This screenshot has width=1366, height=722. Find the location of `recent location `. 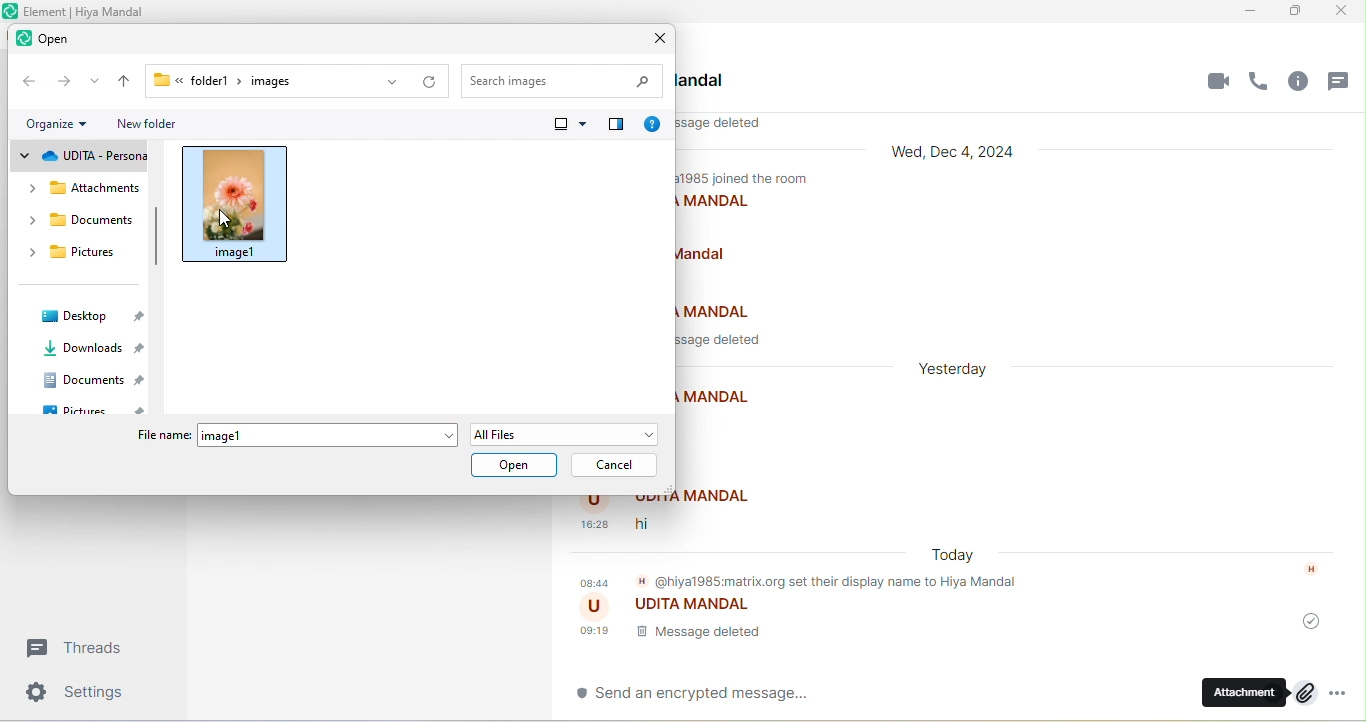

recent location  is located at coordinates (96, 83).